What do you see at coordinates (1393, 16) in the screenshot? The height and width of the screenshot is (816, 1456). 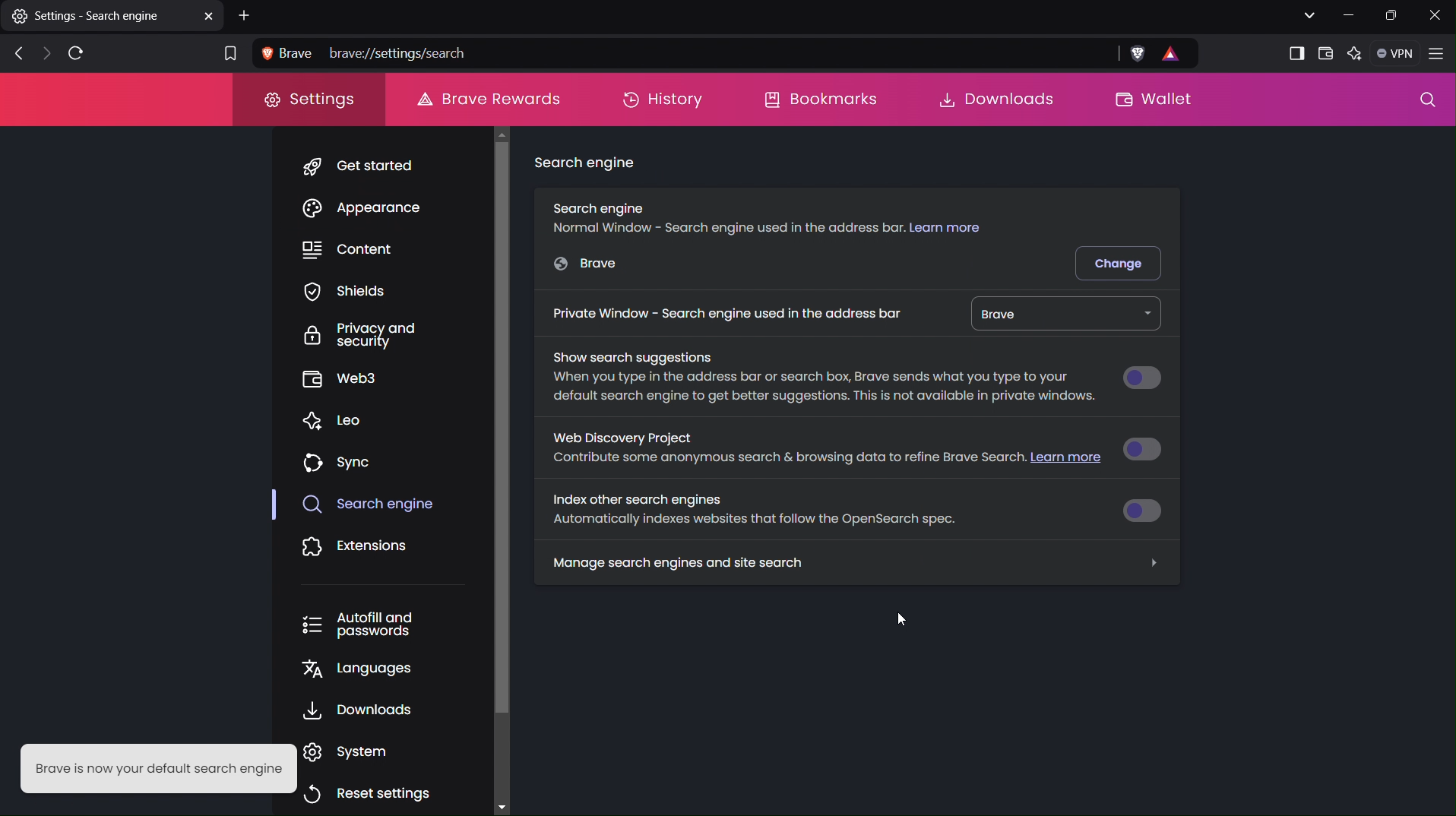 I see `Maximize` at bounding box center [1393, 16].